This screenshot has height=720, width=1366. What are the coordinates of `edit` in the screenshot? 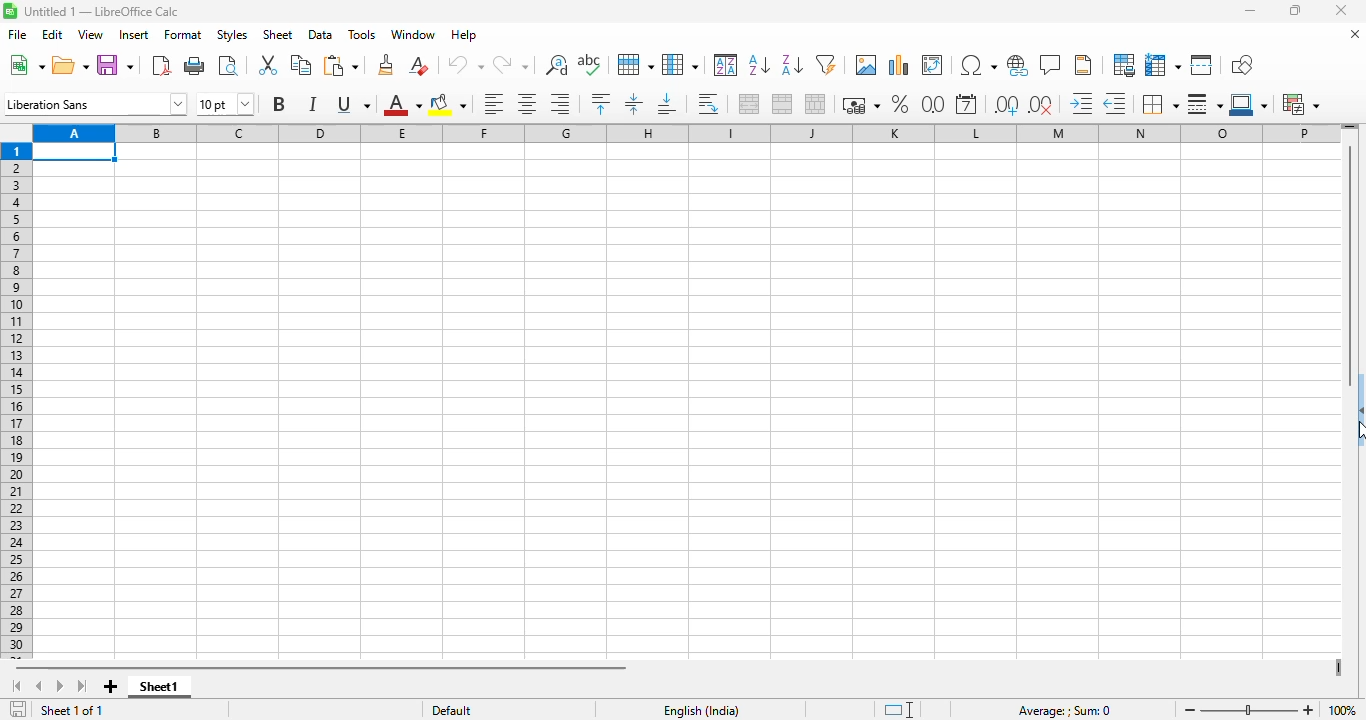 It's located at (52, 35).